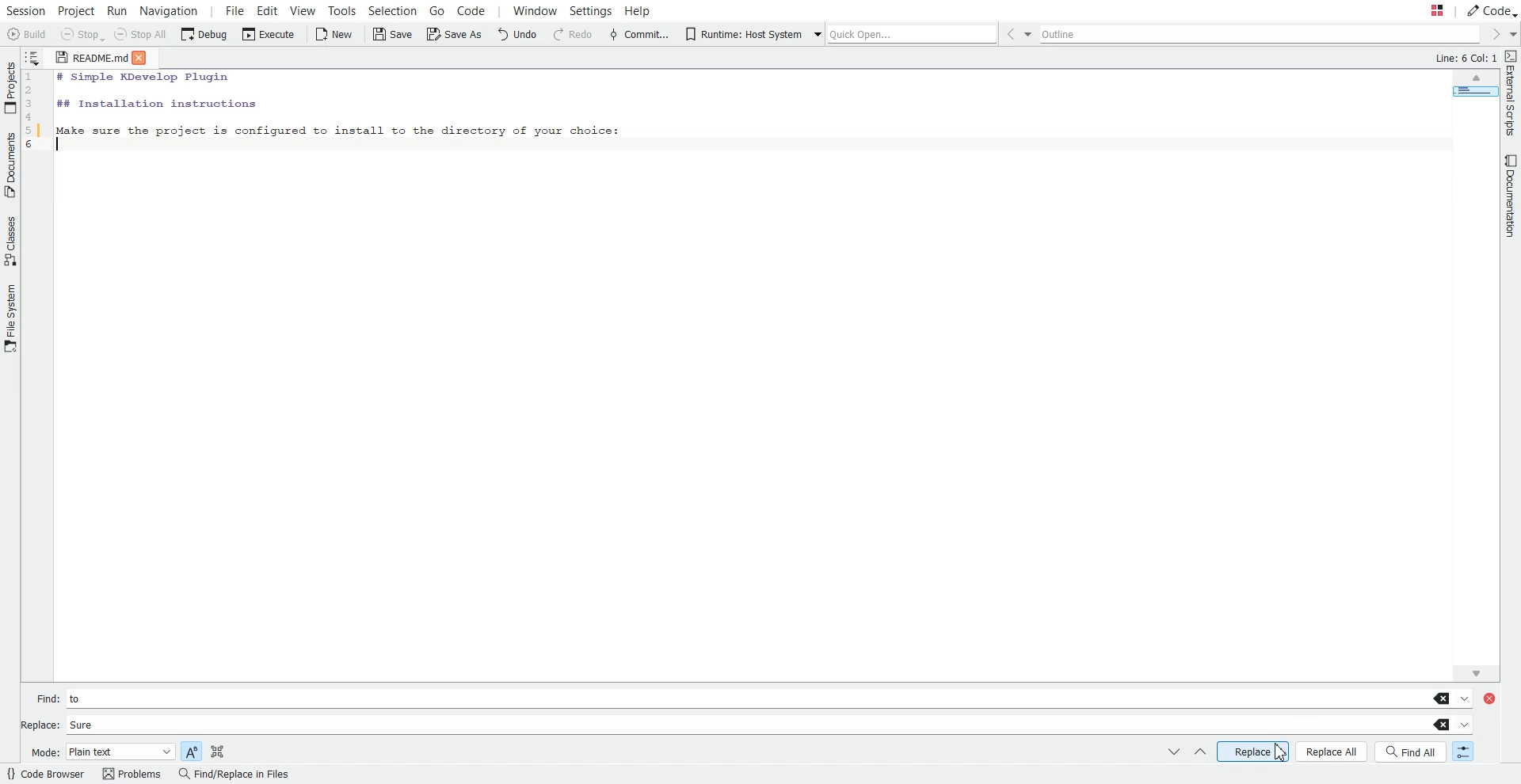 This screenshot has width=1521, height=784. I want to click on Page Overview, so click(1473, 94).